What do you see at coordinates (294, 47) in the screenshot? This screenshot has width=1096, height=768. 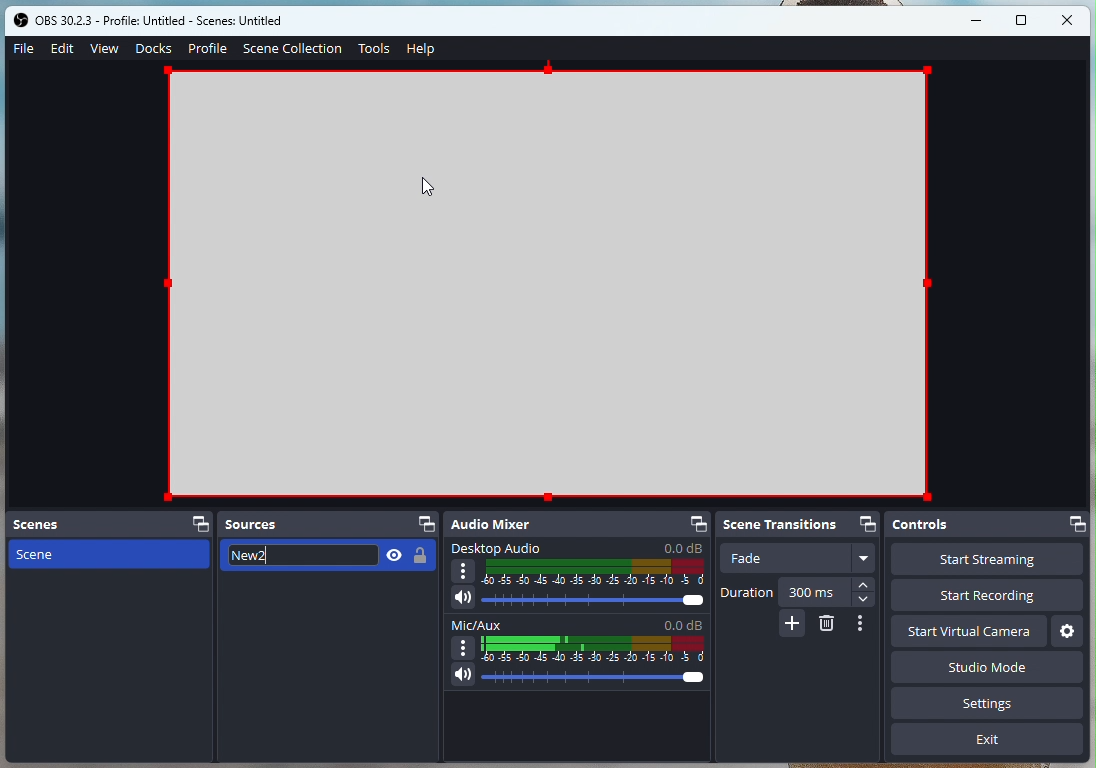 I see `SceneCollection` at bounding box center [294, 47].